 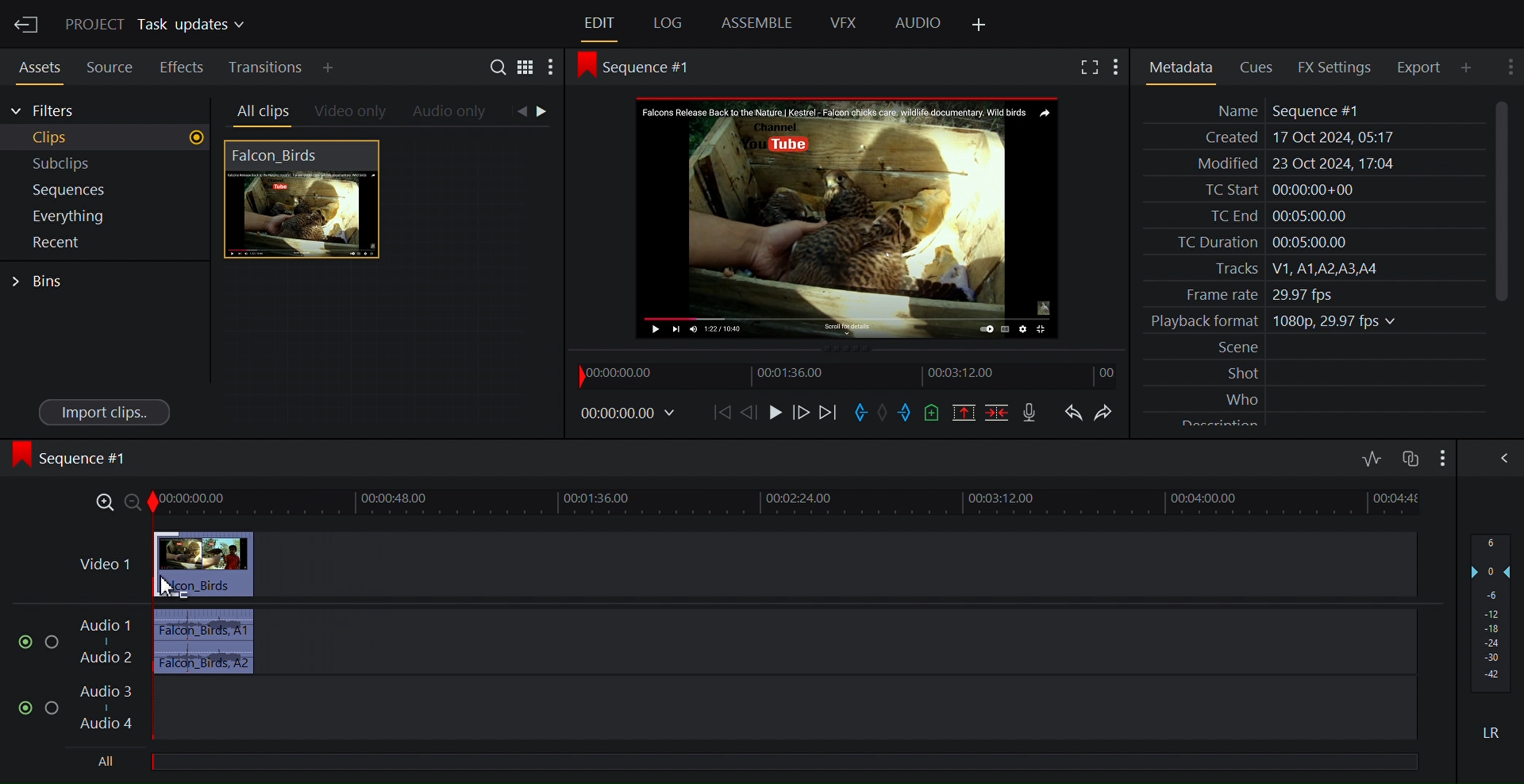 I want to click on Audio Track 1, Audio Track 2, so click(x=745, y=641).